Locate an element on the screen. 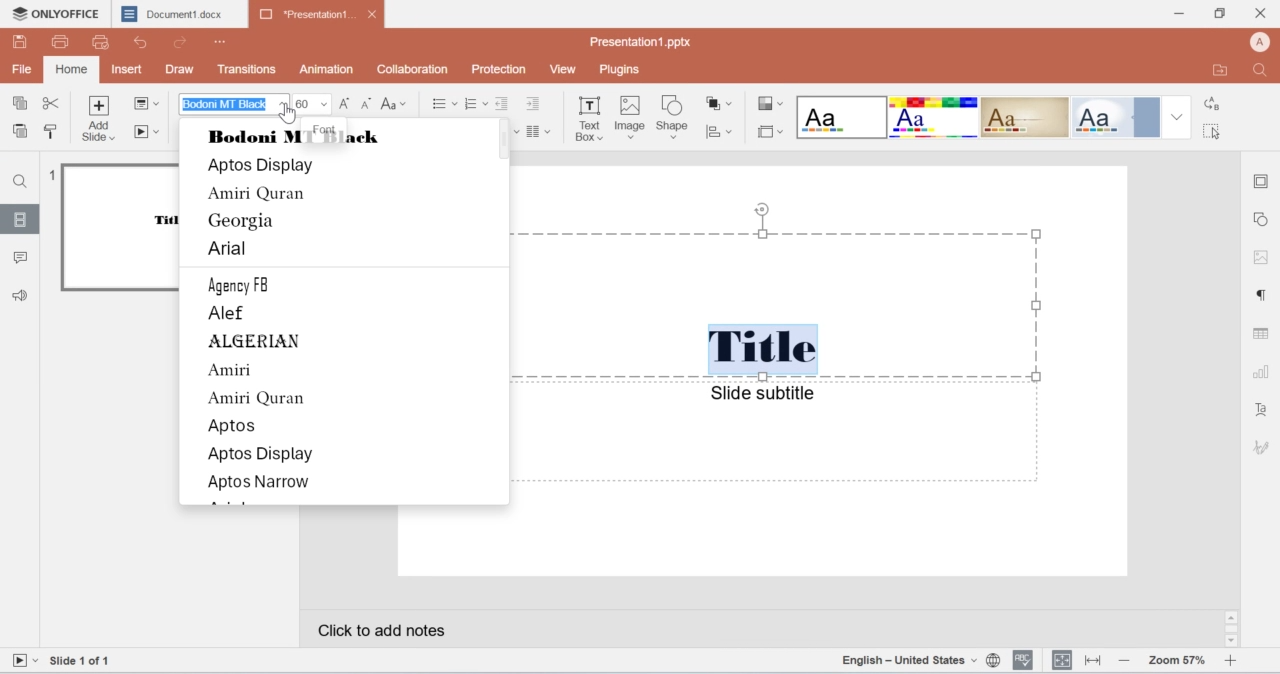 The height and width of the screenshot is (674, 1280). minimize is located at coordinates (1180, 14).